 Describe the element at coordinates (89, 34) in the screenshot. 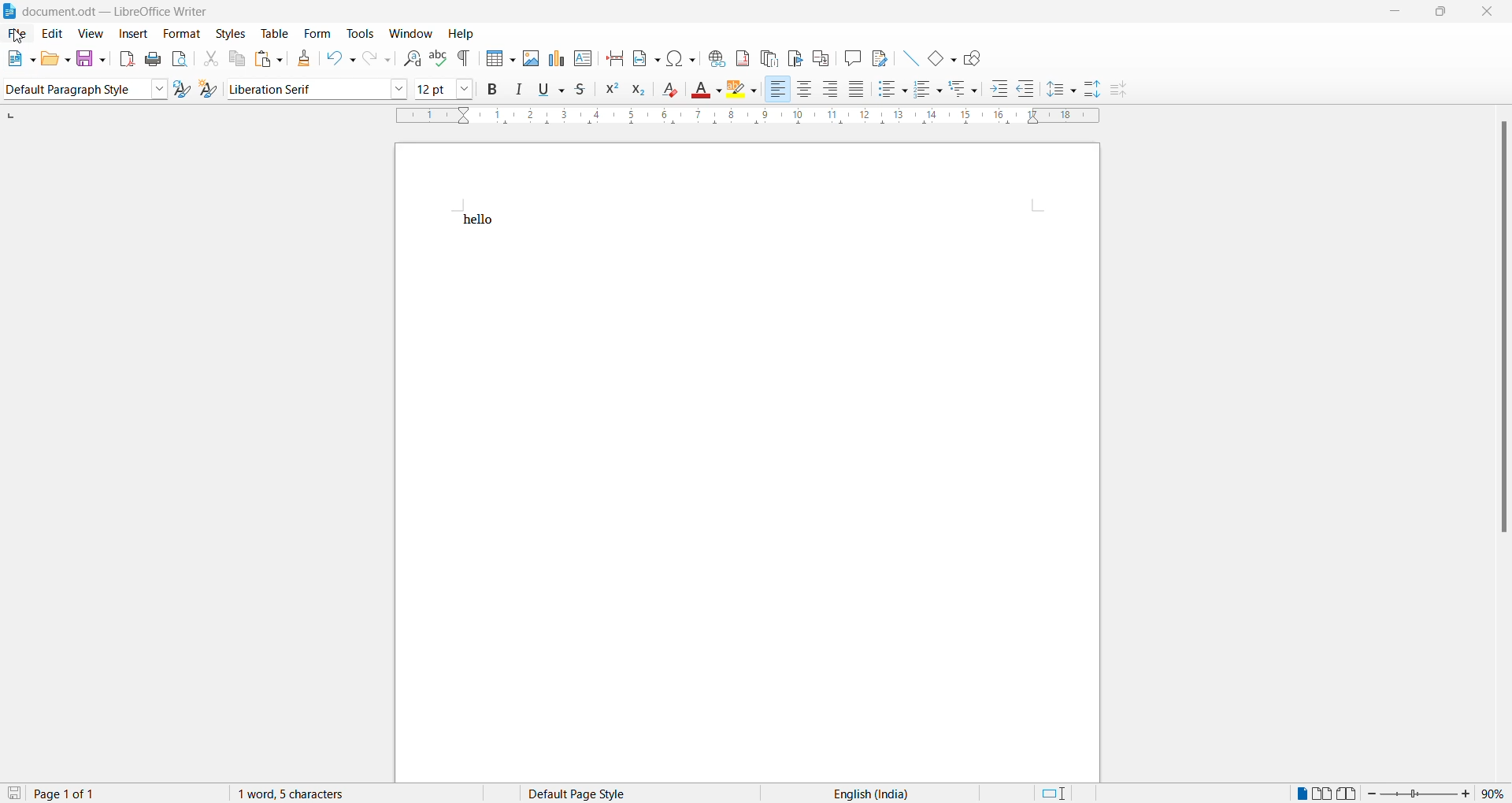

I see `View` at that location.